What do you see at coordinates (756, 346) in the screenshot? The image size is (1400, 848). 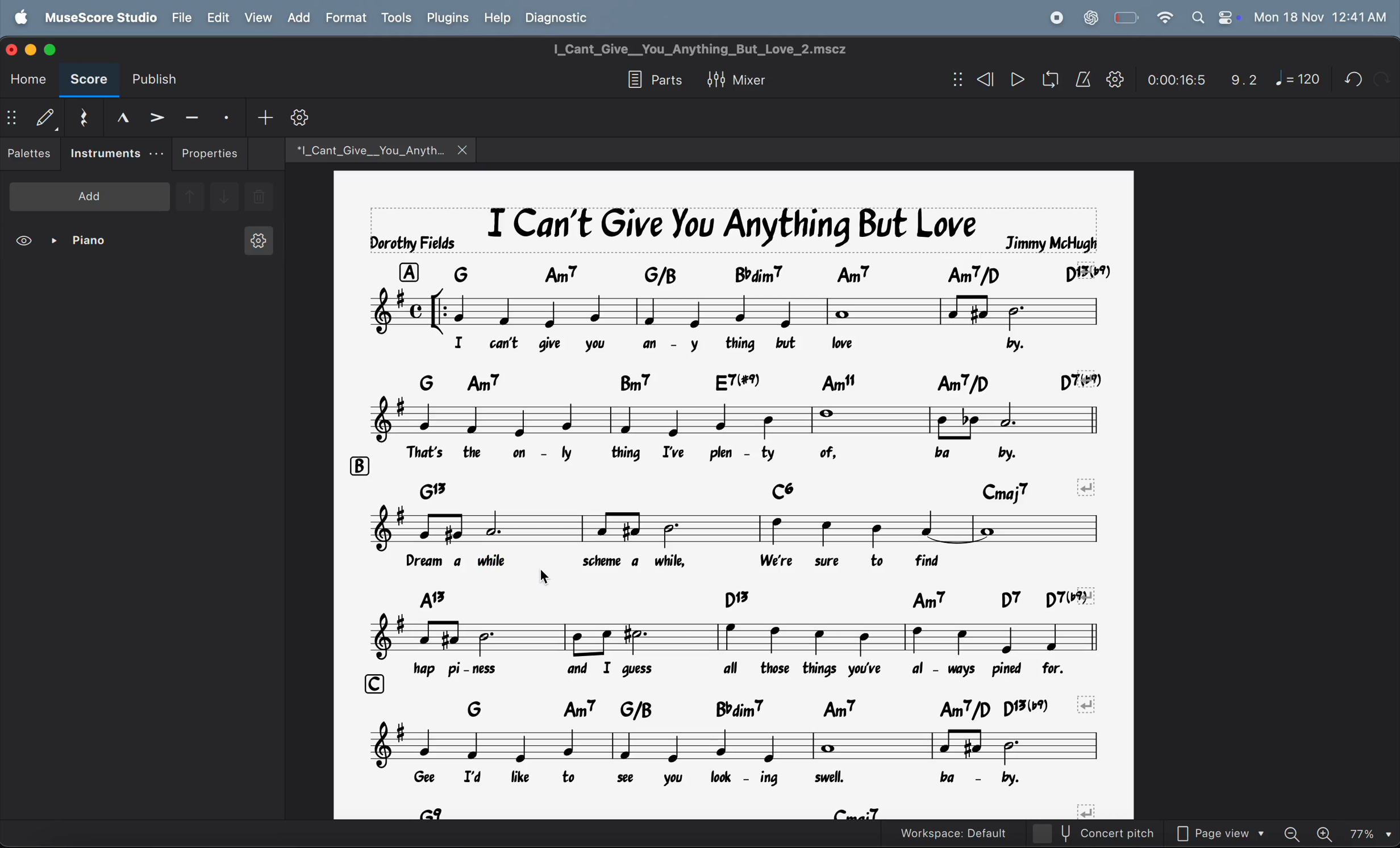 I see `lyrics` at bounding box center [756, 346].